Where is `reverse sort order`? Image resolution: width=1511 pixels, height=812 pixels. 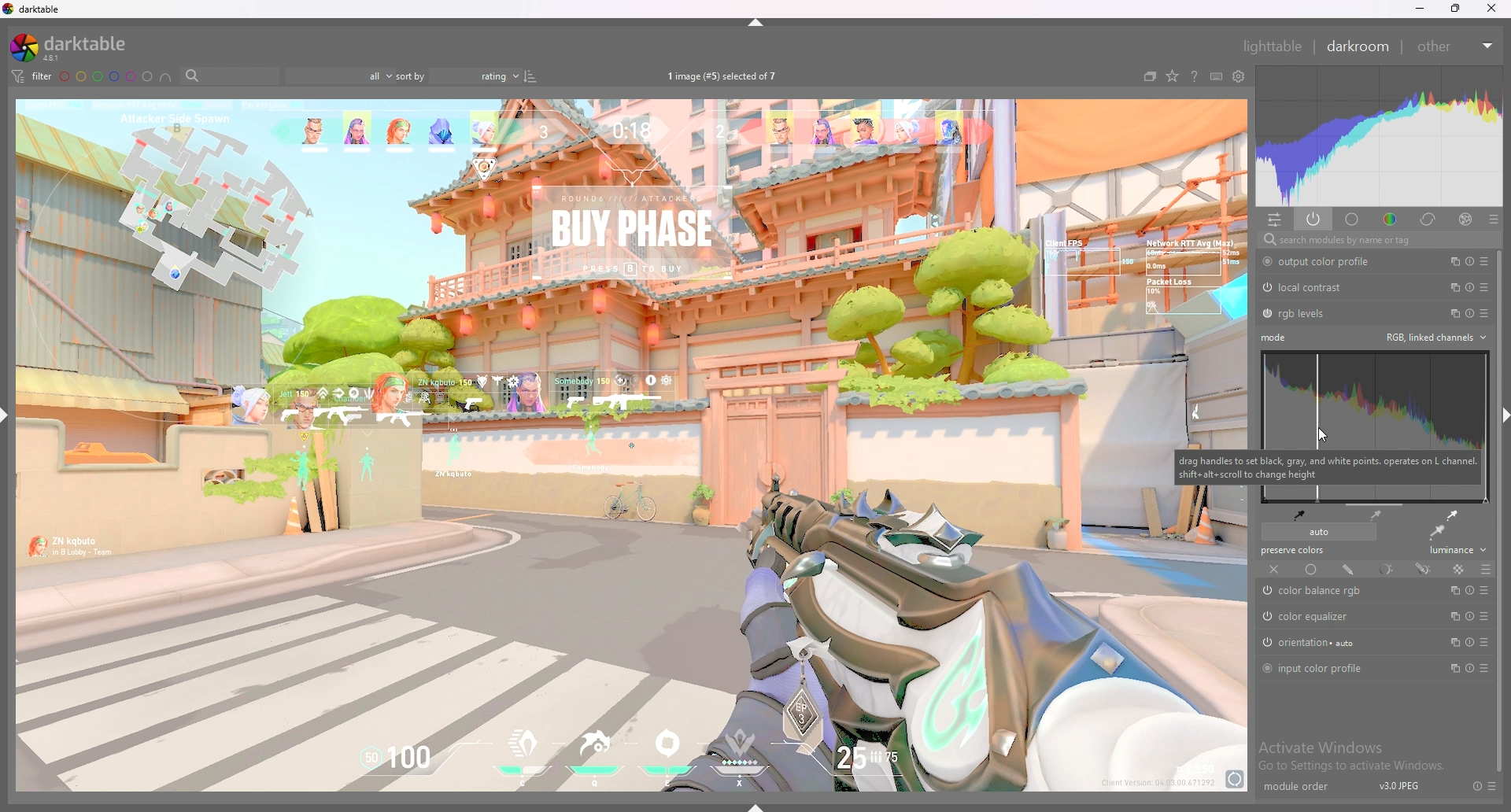
reverse sort order is located at coordinates (530, 76).